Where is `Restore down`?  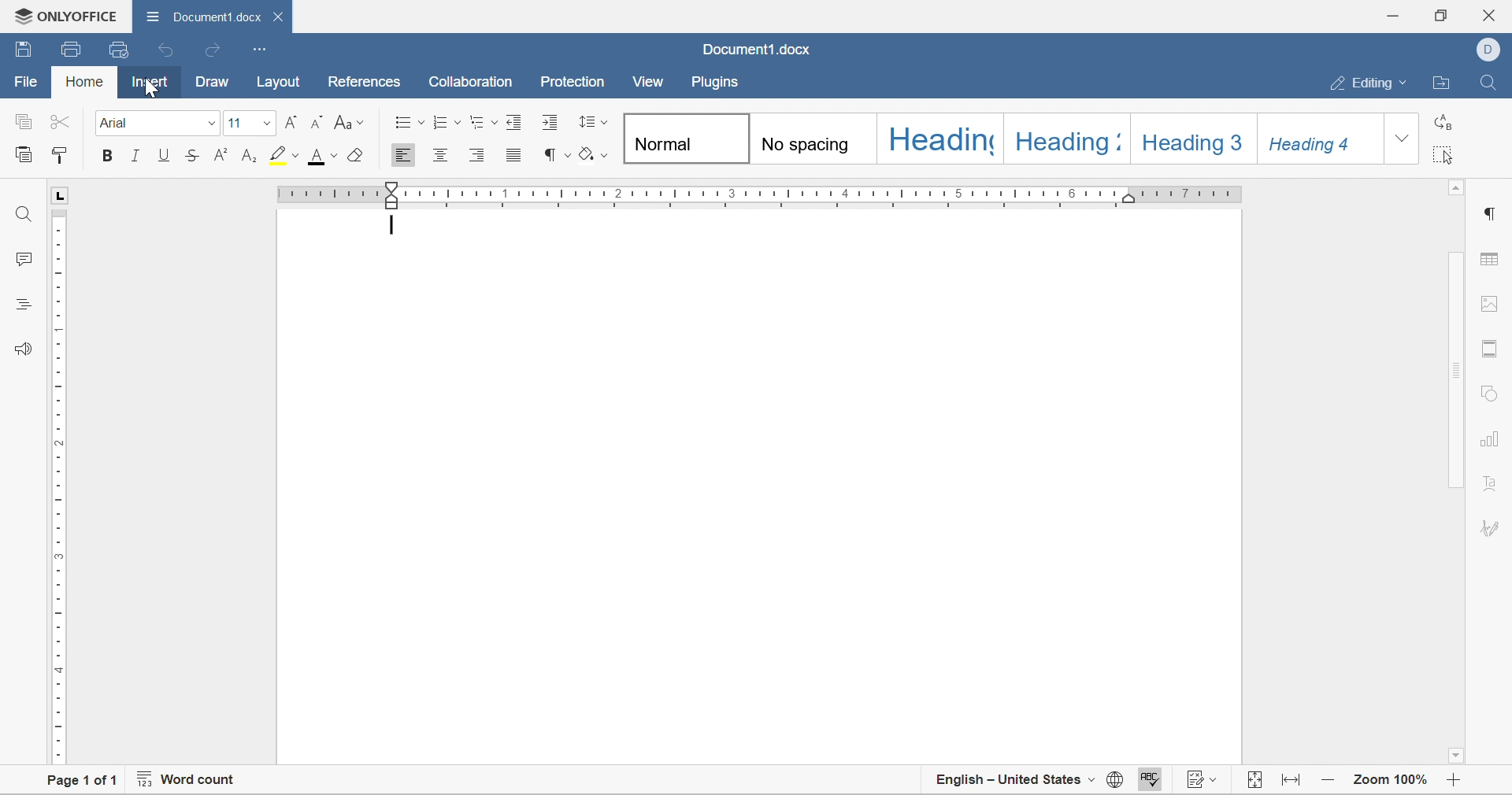
Restore down is located at coordinates (1443, 15).